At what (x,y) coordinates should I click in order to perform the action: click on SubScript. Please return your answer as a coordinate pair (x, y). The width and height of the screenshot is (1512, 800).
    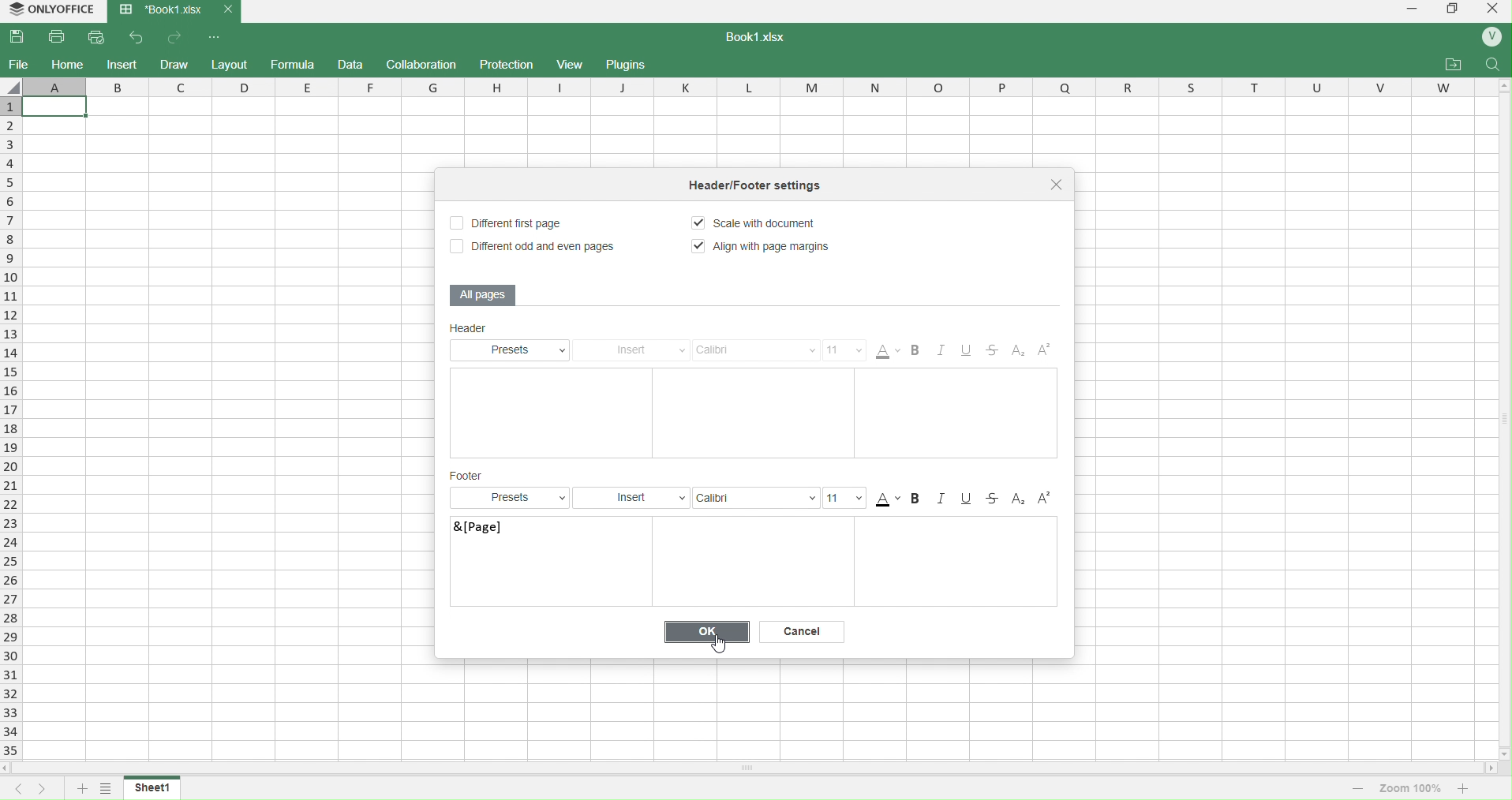
    Looking at the image, I should click on (1019, 499).